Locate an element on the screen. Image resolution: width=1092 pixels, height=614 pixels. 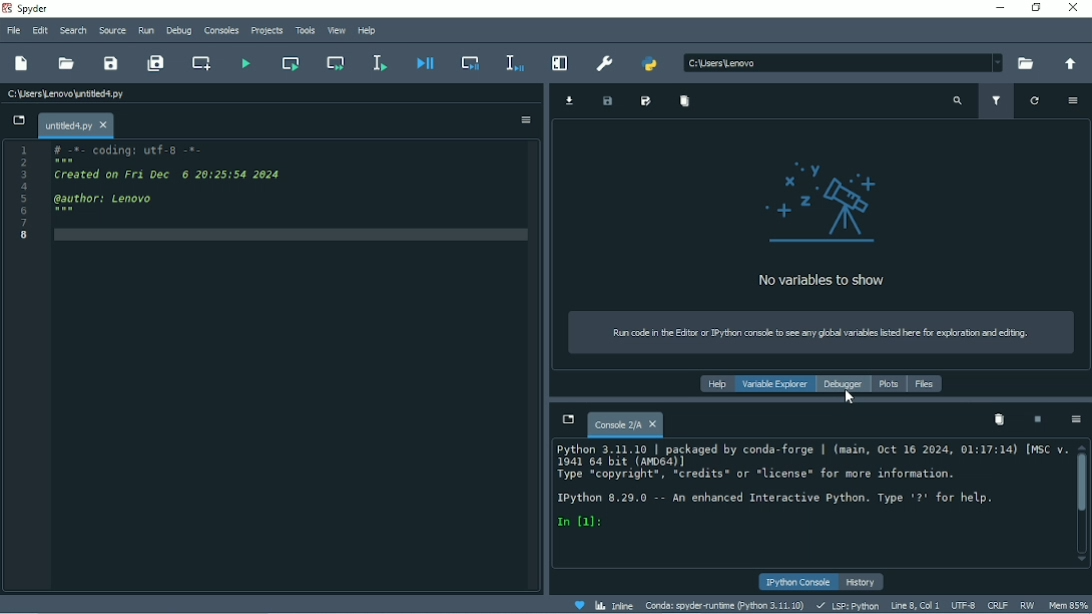
Help is located at coordinates (367, 31).